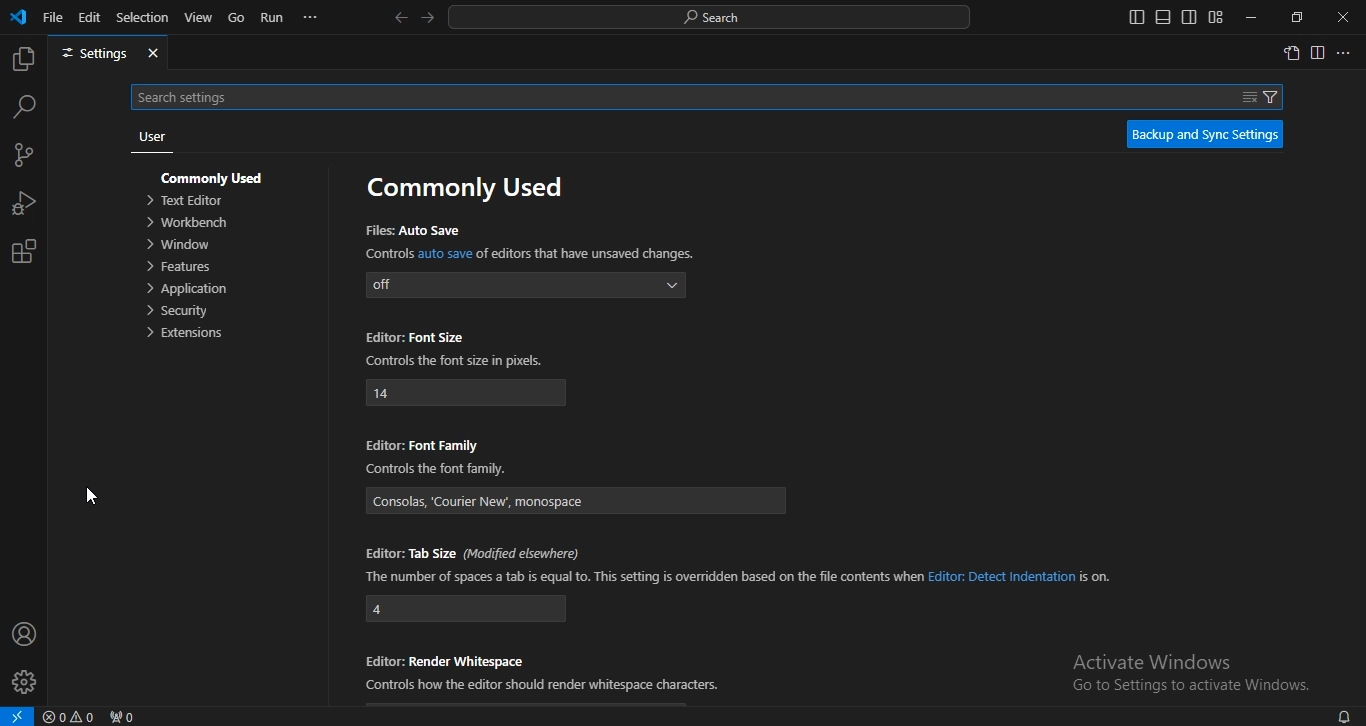  What do you see at coordinates (17, 716) in the screenshot?
I see `open a remote window` at bounding box center [17, 716].